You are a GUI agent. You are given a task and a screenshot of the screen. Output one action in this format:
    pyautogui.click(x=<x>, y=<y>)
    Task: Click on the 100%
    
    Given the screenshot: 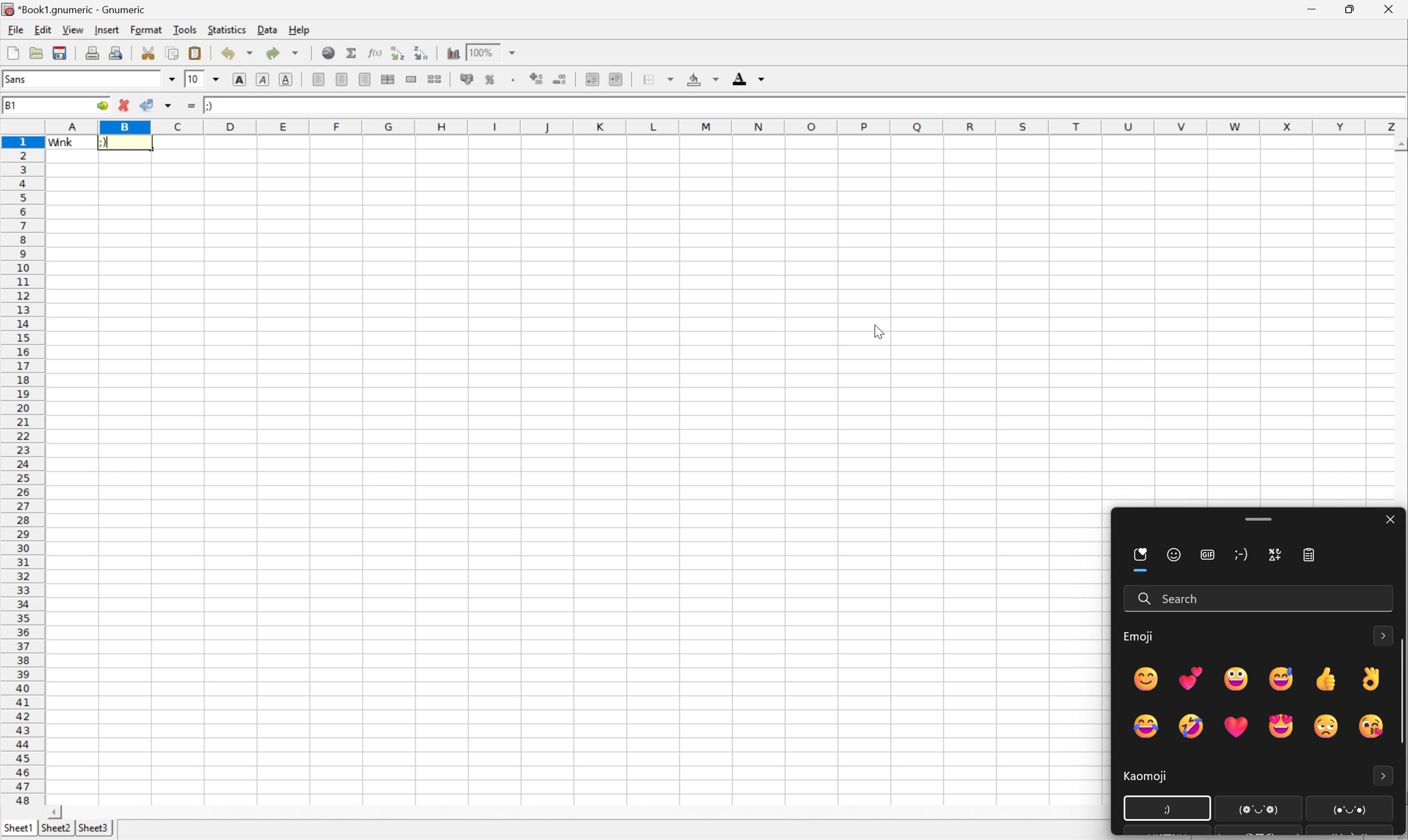 What is the action you would take?
    pyautogui.click(x=483, y=52)
    